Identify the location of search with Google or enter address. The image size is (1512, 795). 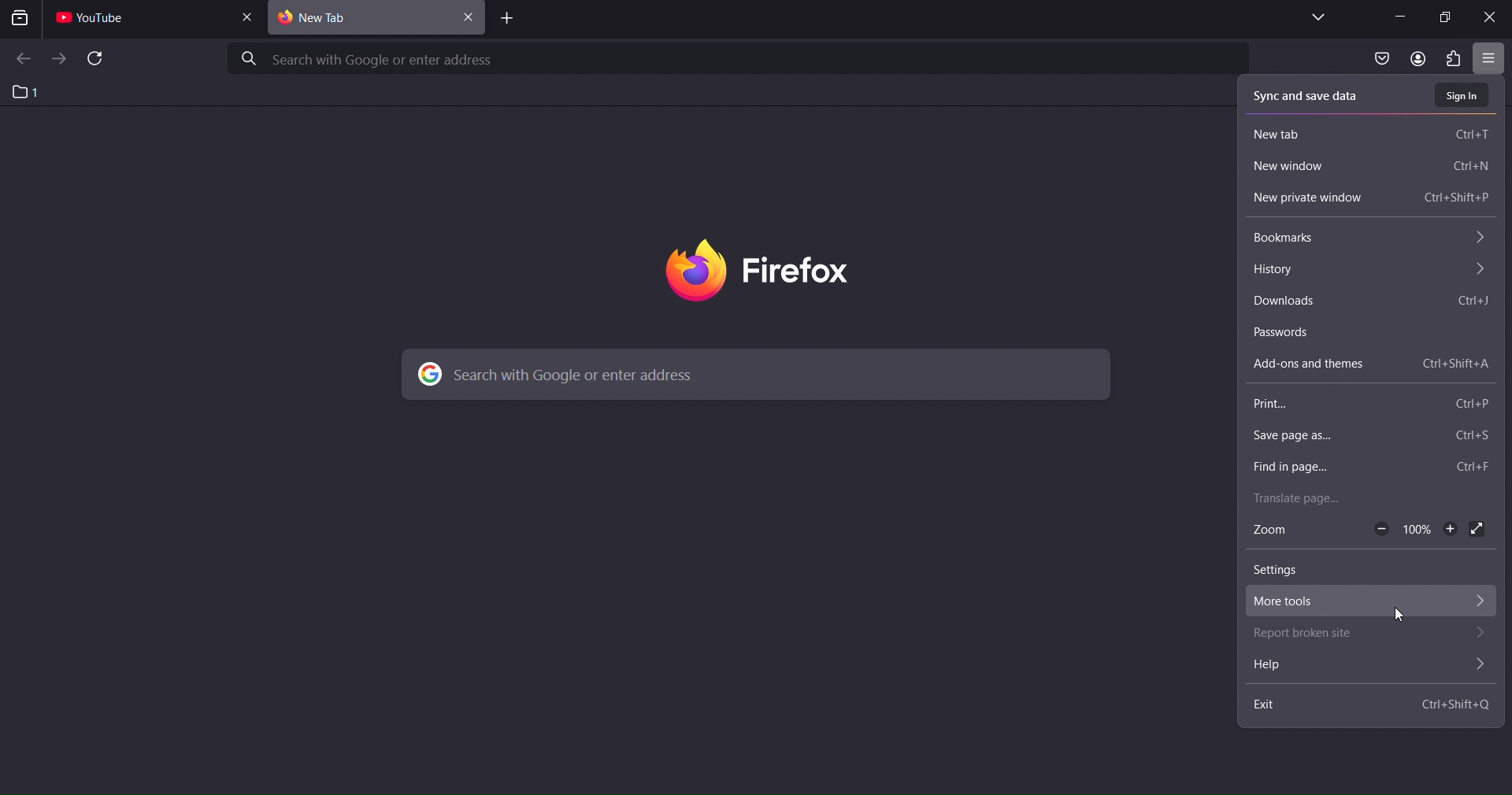
(739, 57).